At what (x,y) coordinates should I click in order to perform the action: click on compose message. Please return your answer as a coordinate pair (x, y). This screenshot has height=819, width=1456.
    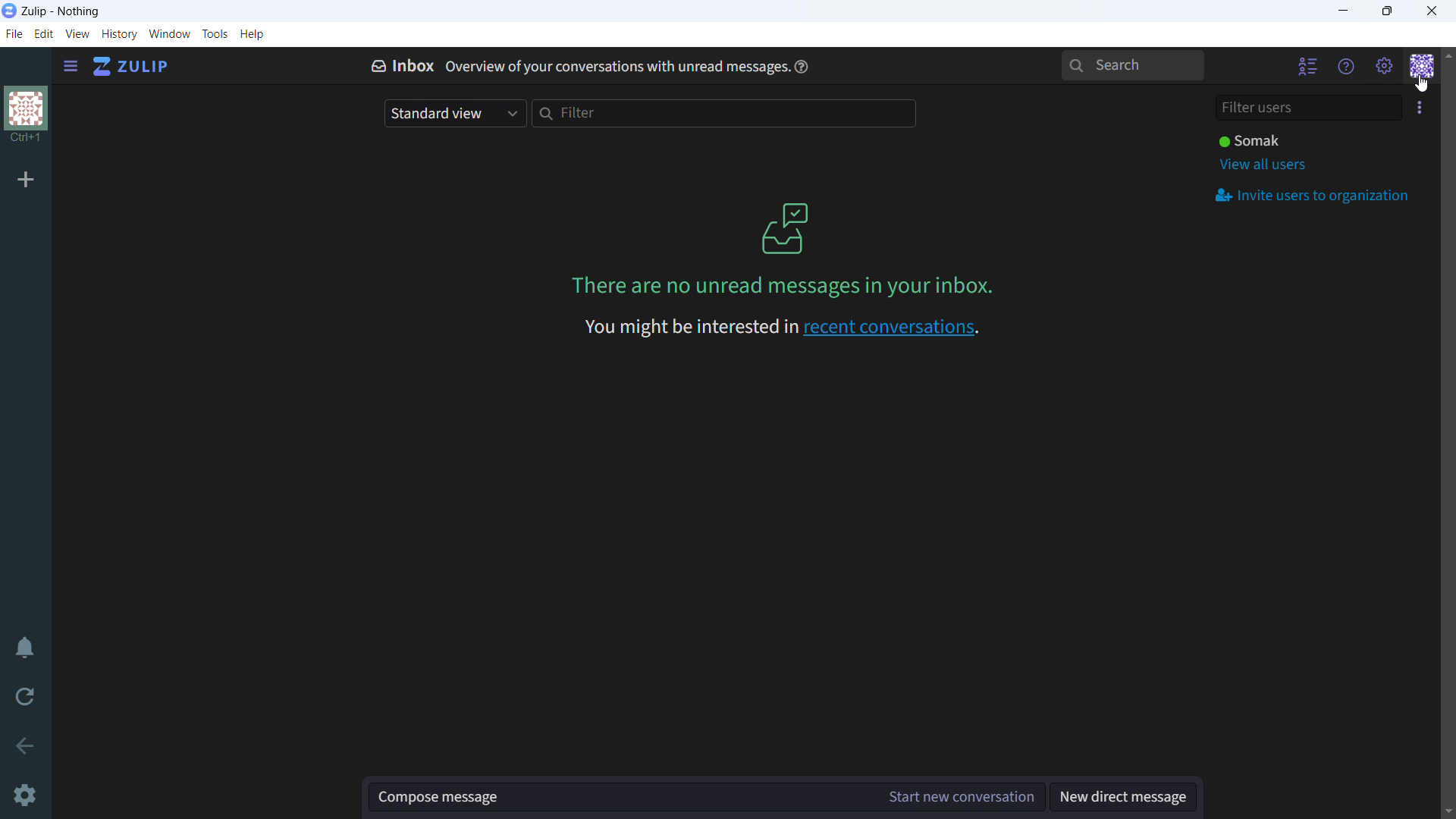
    Looking at the image, I should click on (623, 798).